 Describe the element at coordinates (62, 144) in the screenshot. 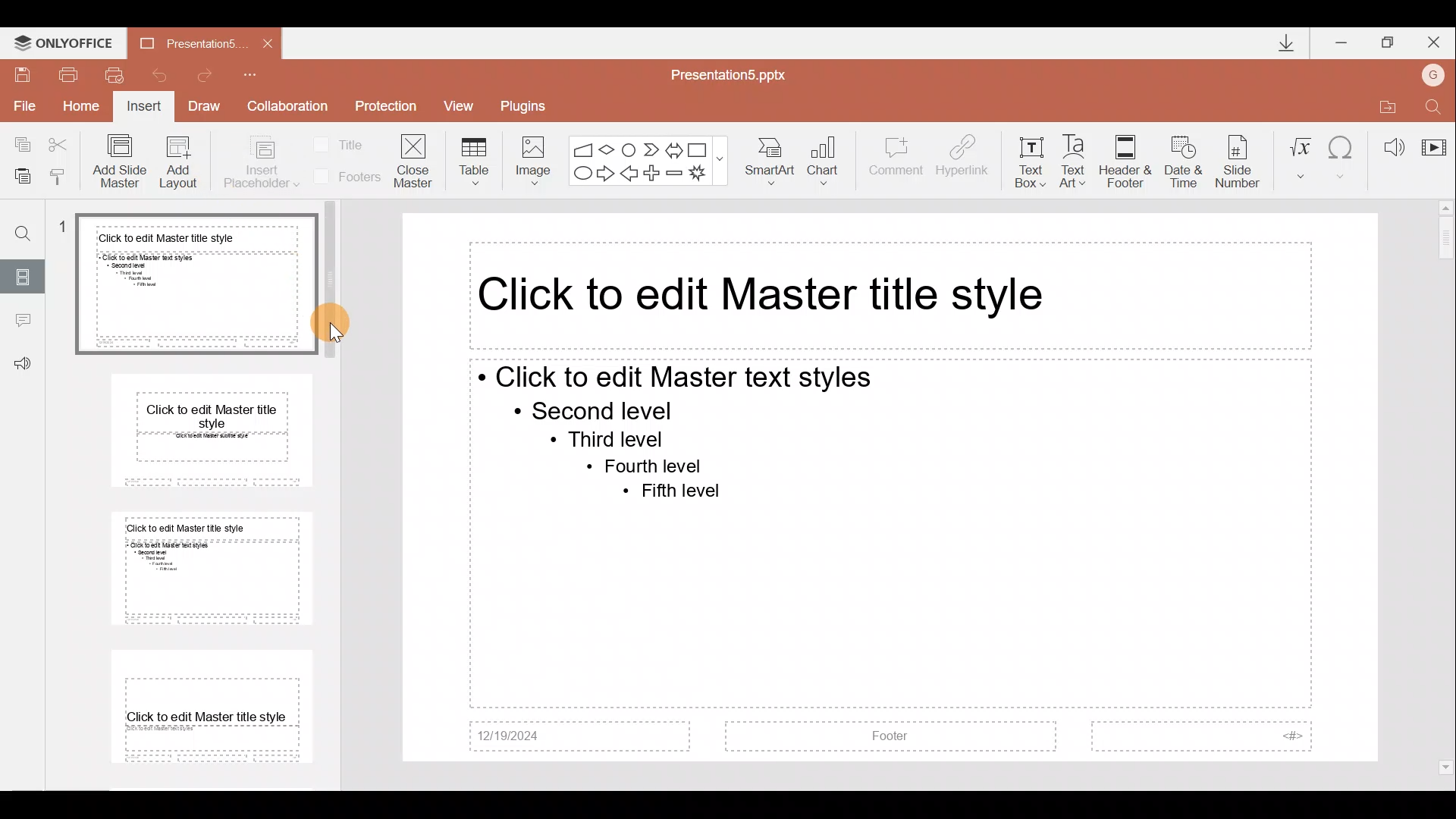

I see `Cut` at that location.